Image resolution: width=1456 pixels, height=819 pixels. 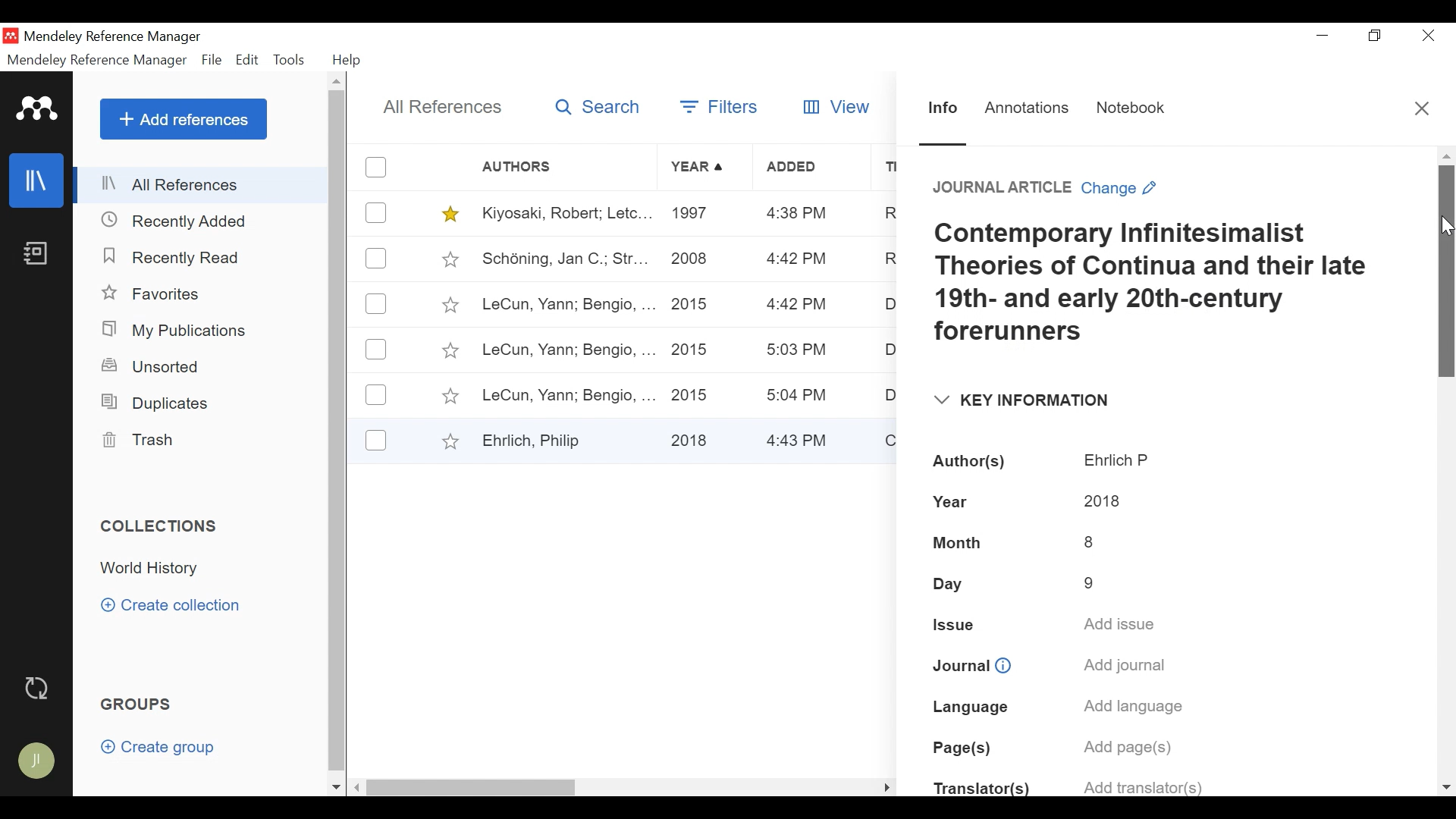 What do you see at coordinates (981, 791) in the screenshot?
I see `Translator(s)` at bounding box center [981, 791].